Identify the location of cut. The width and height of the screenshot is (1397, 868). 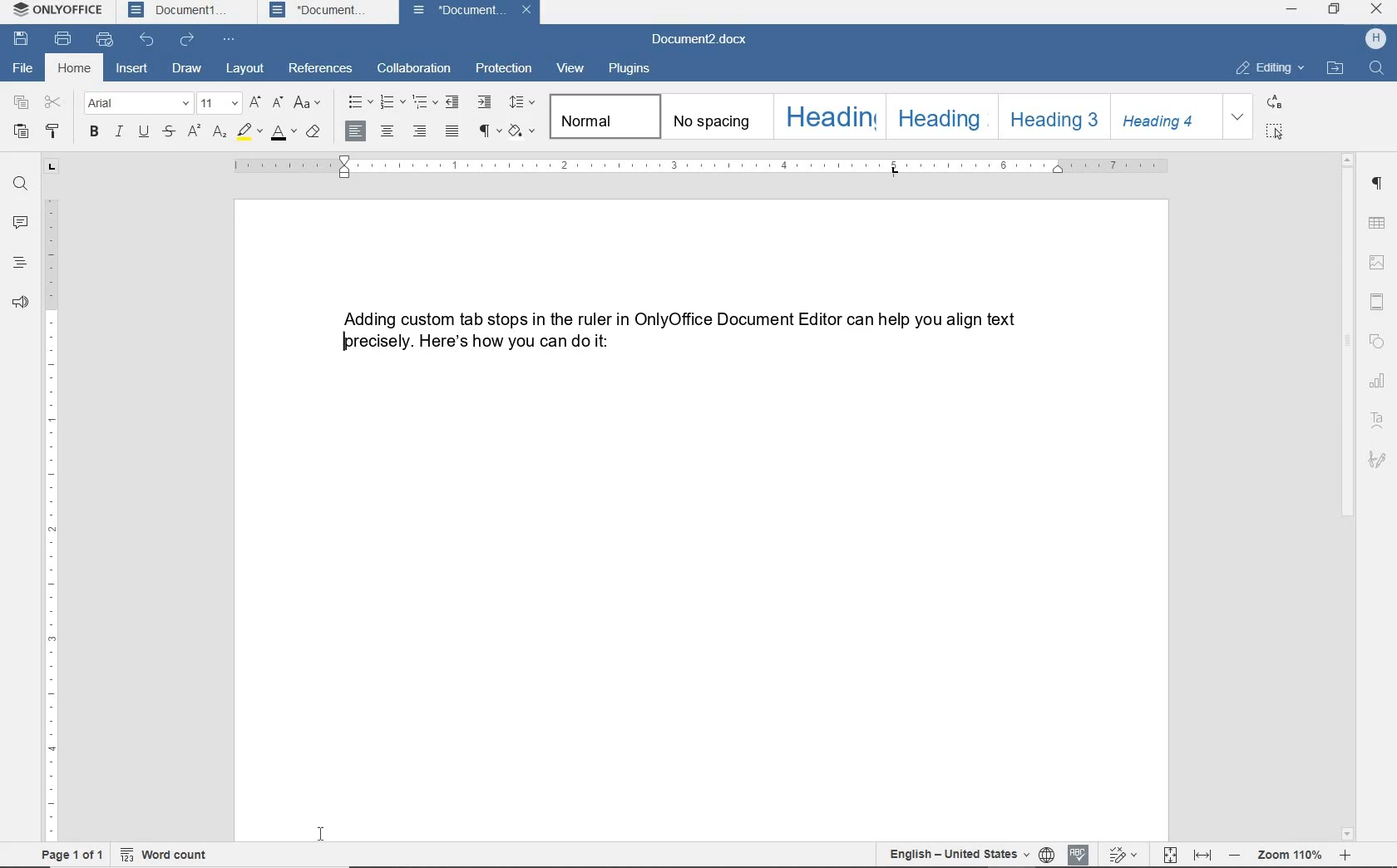
(52, 104).